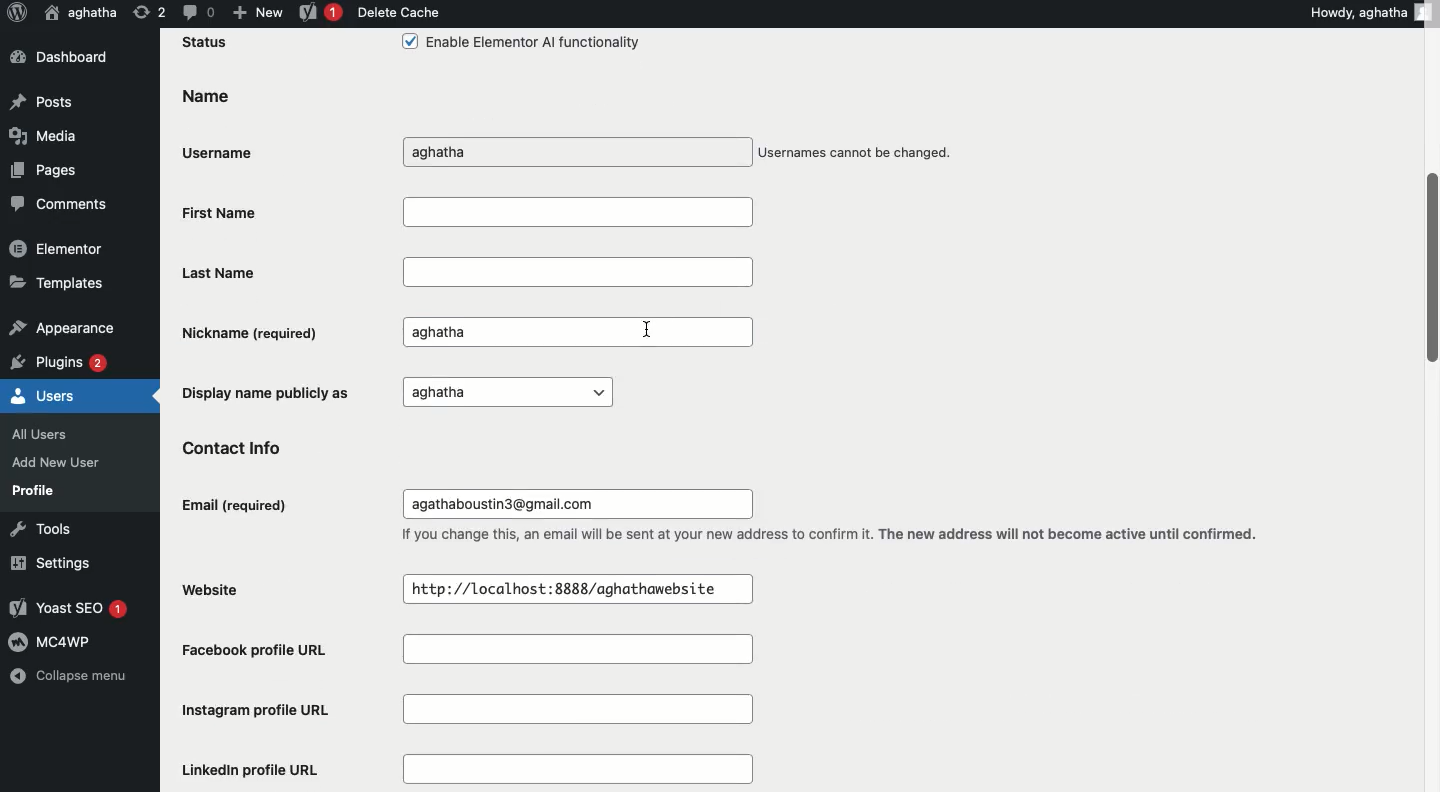  What do you see at coordinates (392, 391) in the screenshot?
I see `Display name publicly as` at bounding box center [392, 391].